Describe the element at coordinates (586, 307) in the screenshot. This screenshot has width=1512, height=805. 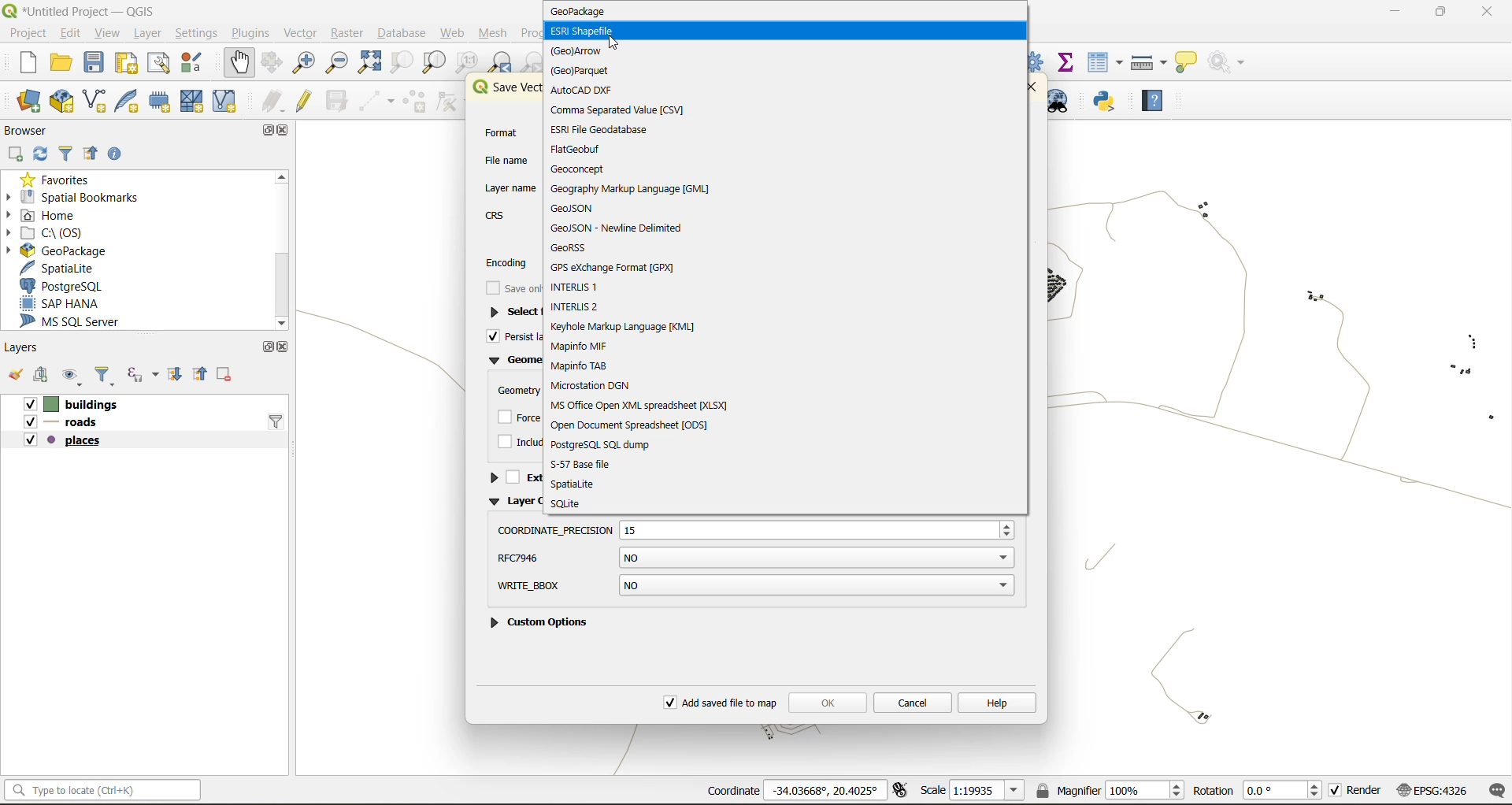
I see `interlis2` at that location.